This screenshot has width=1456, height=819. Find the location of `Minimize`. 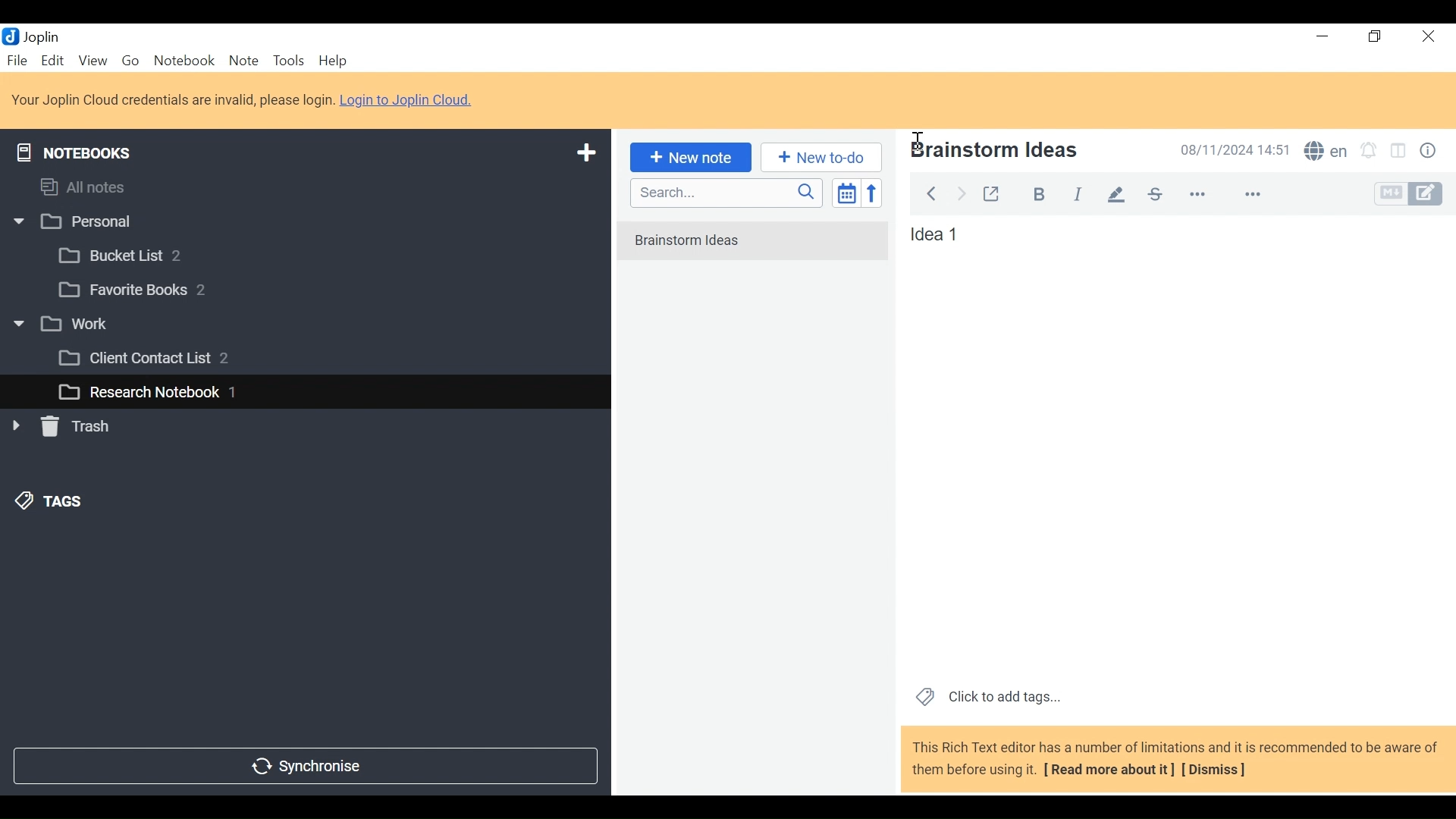

Minimize is located at coordinates (1321, 36).